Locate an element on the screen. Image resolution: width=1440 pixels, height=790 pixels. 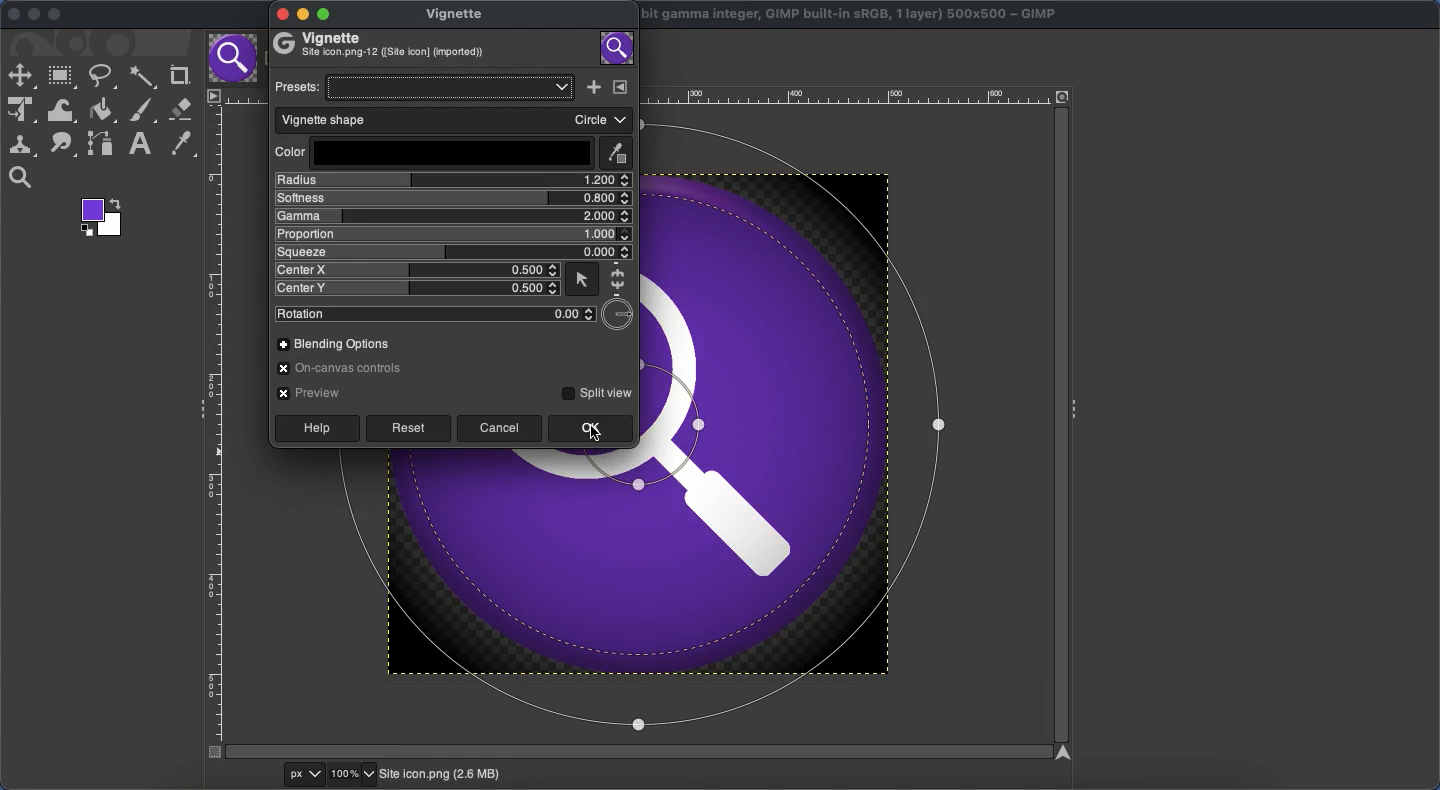
Color is located at coordinates (99, 217).